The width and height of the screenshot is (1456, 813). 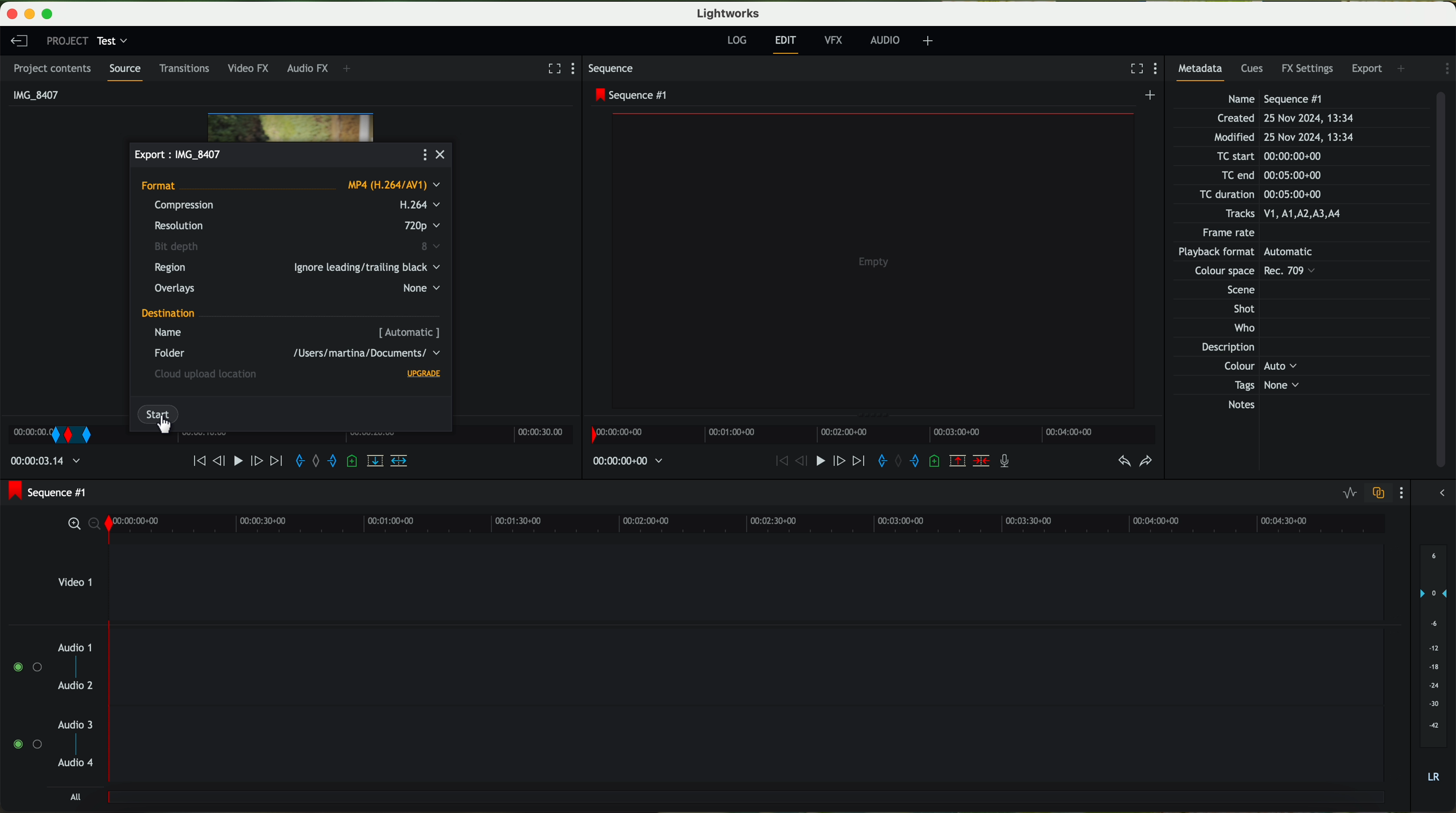 What do you see at coordinates (700, 581) in the screenshot?
I see `video 1` at bounding box center [700, 581].